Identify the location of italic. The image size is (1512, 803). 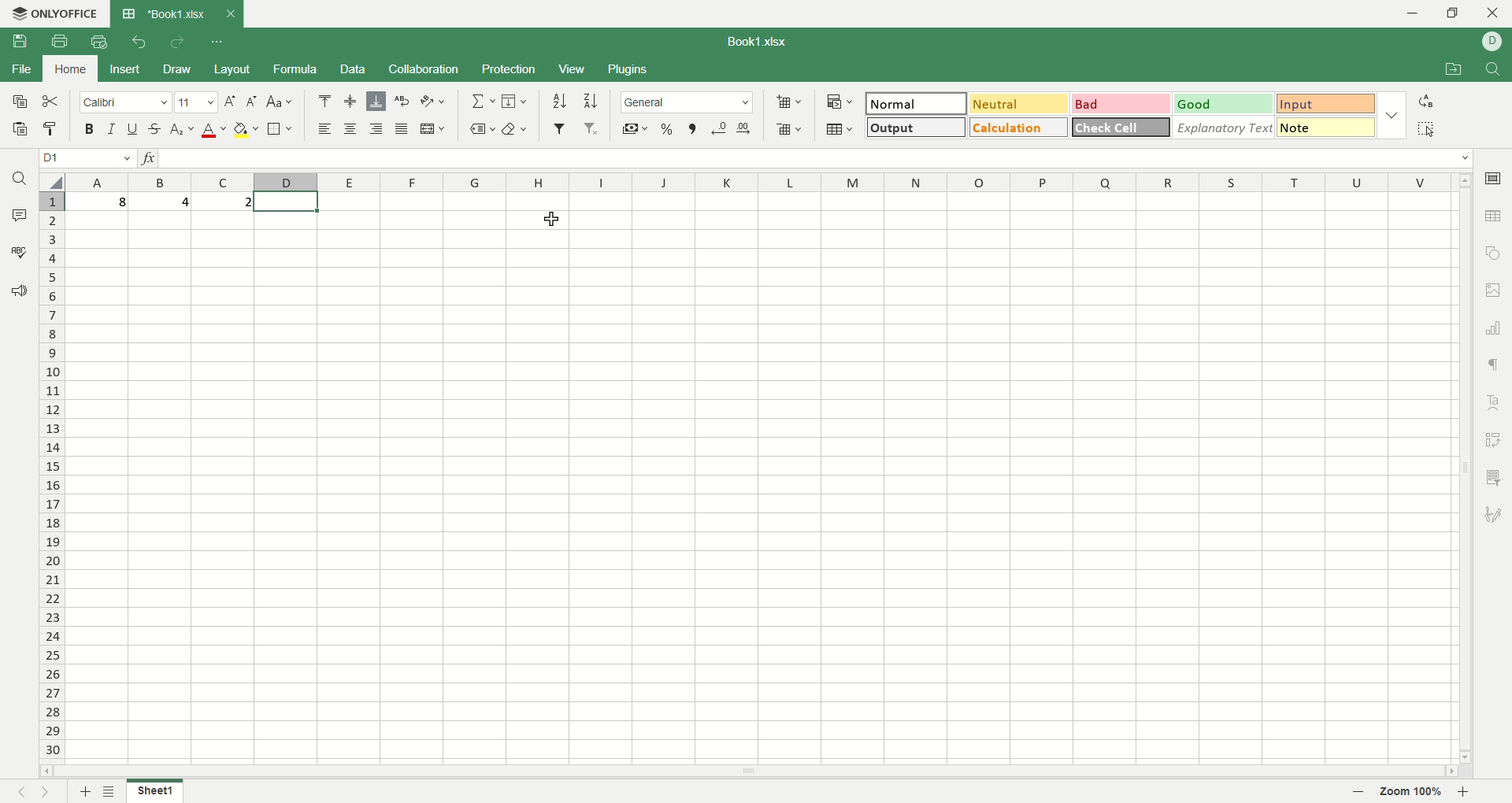
(111, 128).